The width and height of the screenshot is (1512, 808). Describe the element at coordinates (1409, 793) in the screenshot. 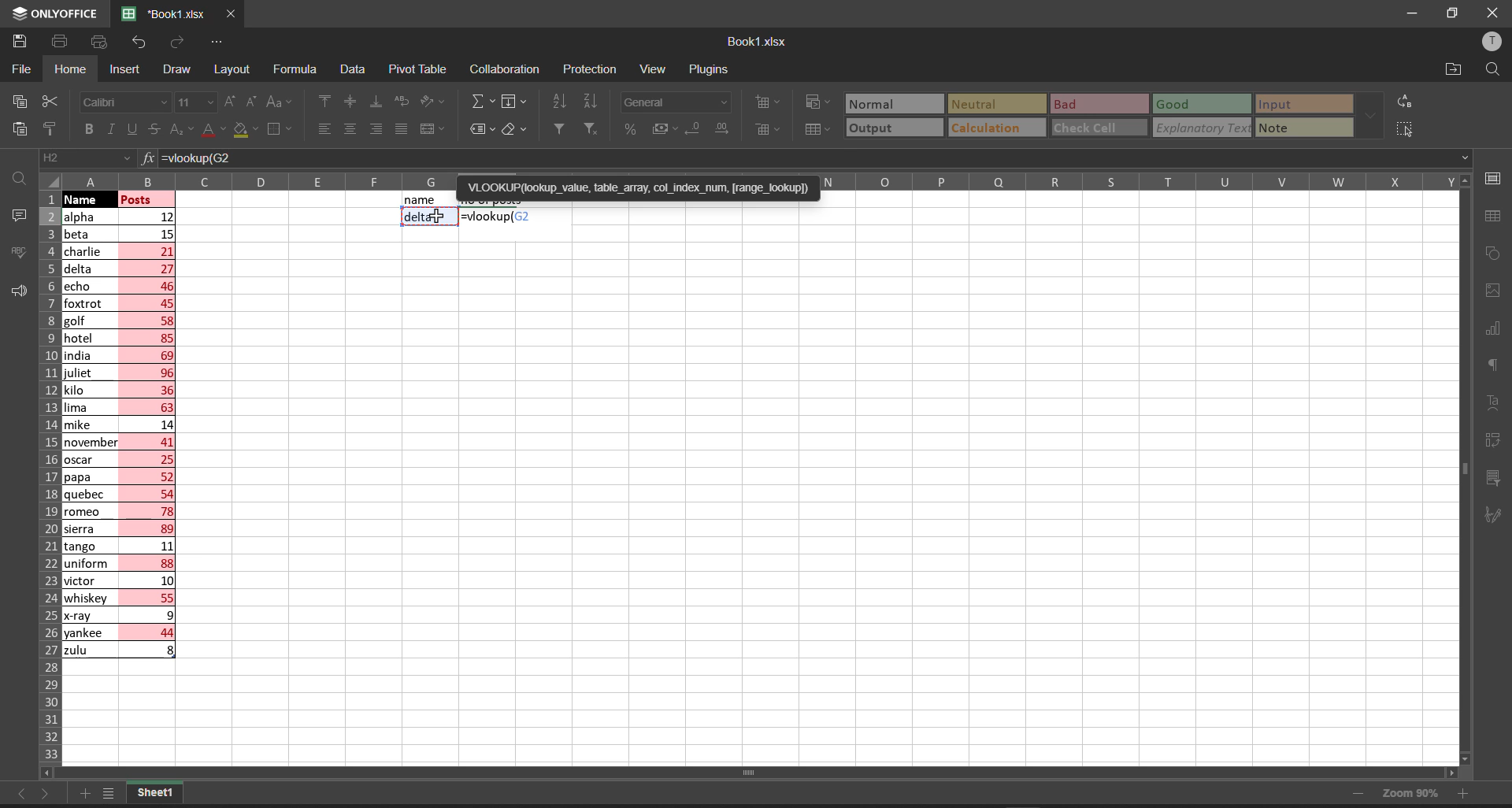

I see `zoom 90%` at that location.